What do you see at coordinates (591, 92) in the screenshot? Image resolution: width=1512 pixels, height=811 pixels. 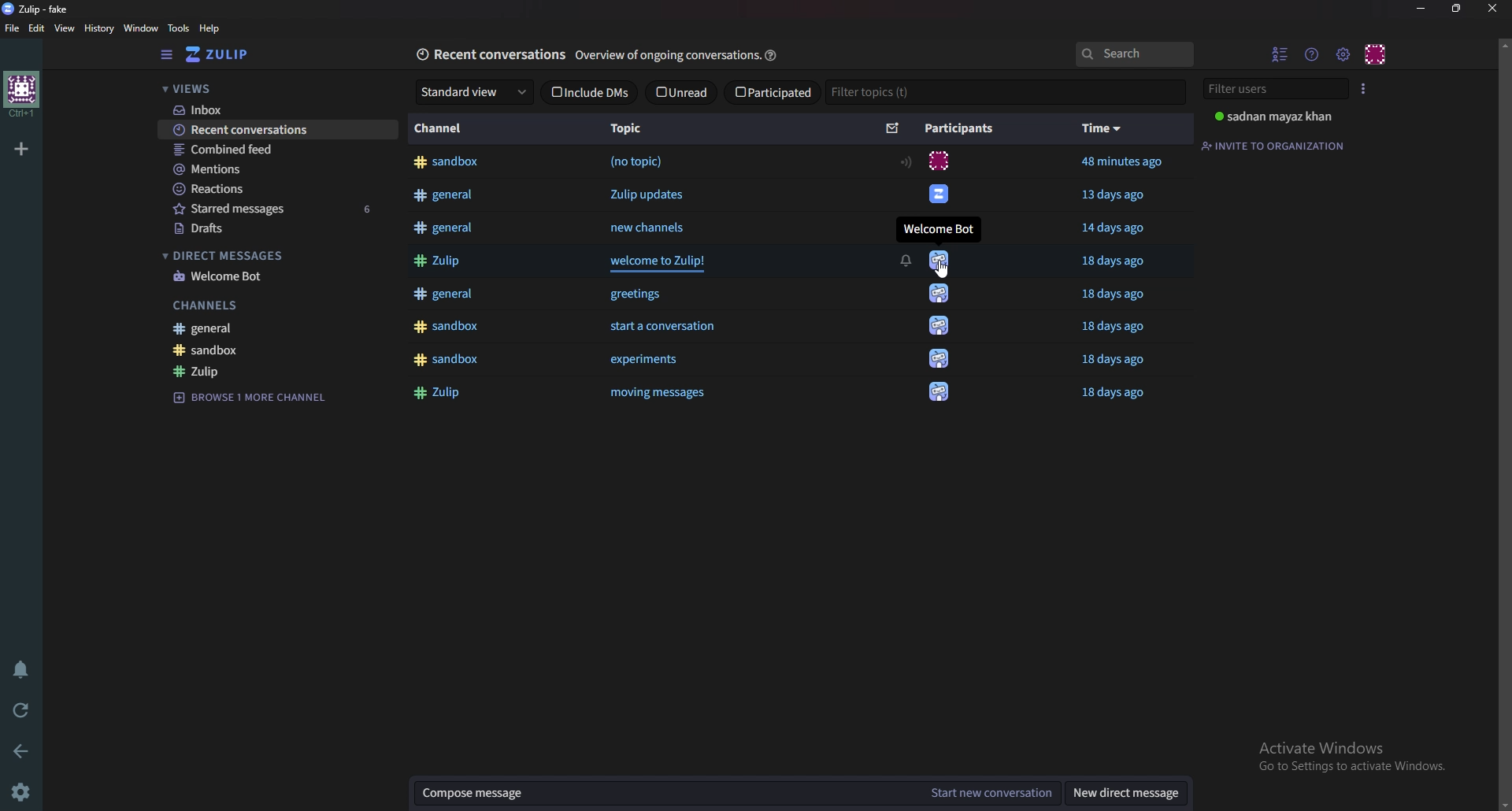 I see `Include dms` at bounding box center [591, 92].